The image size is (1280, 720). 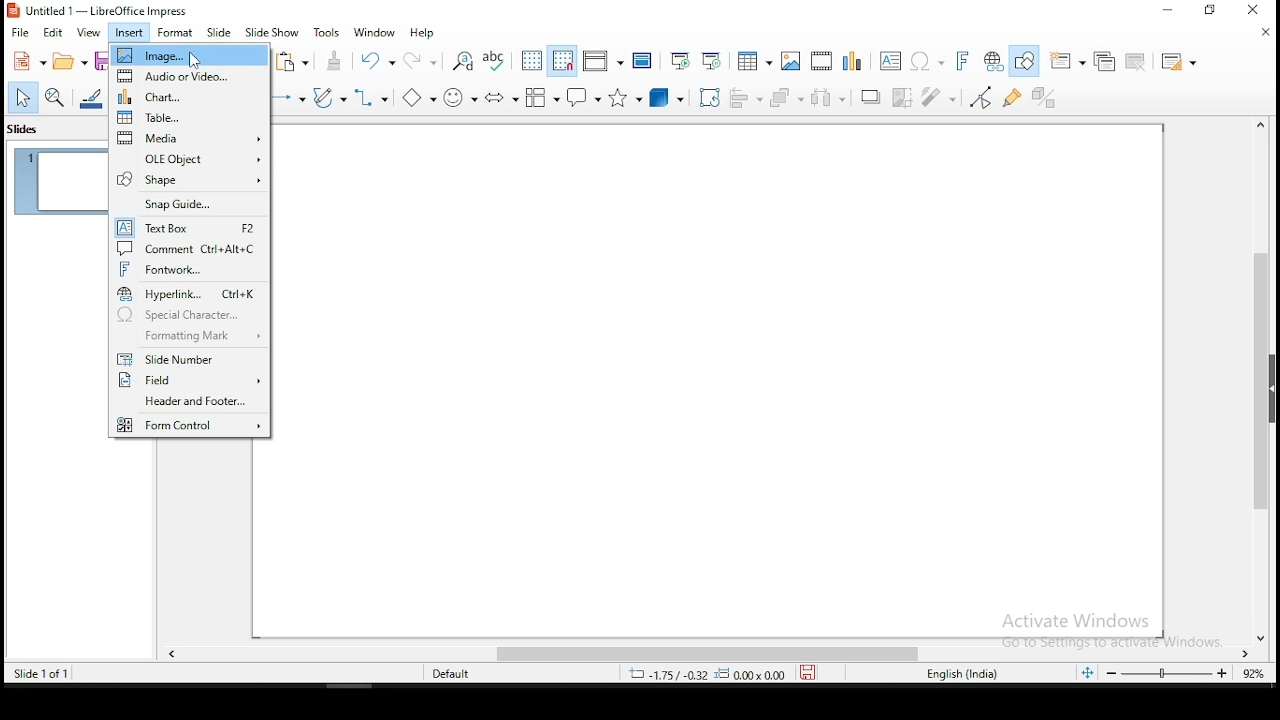 I want to click on fit slide to current window, so click(x=1086, y=673).